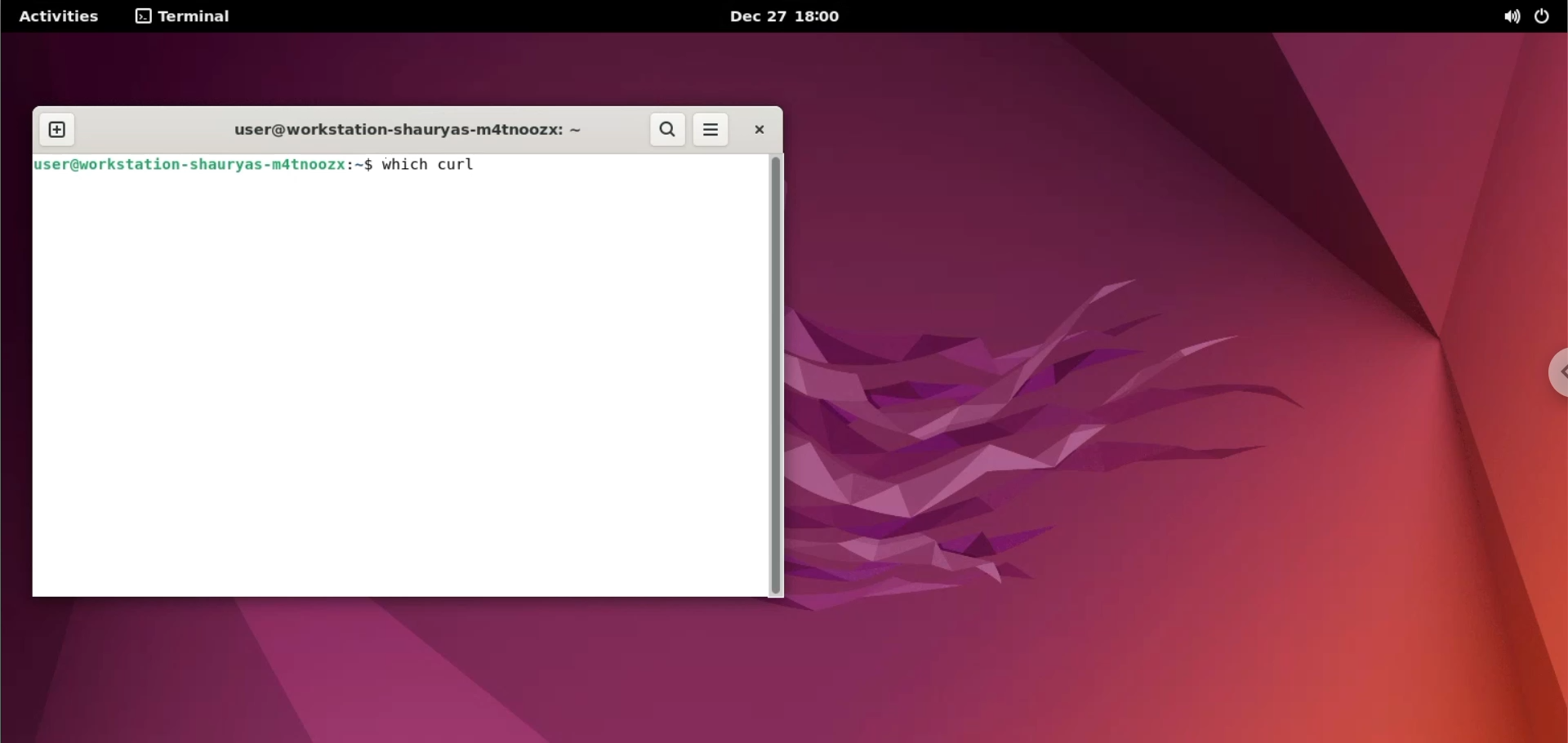 The width and height of the screenshot is (1568, 743). Describe the element at coordinates (711, 130) in the screenshot. I see `menu` at that location.